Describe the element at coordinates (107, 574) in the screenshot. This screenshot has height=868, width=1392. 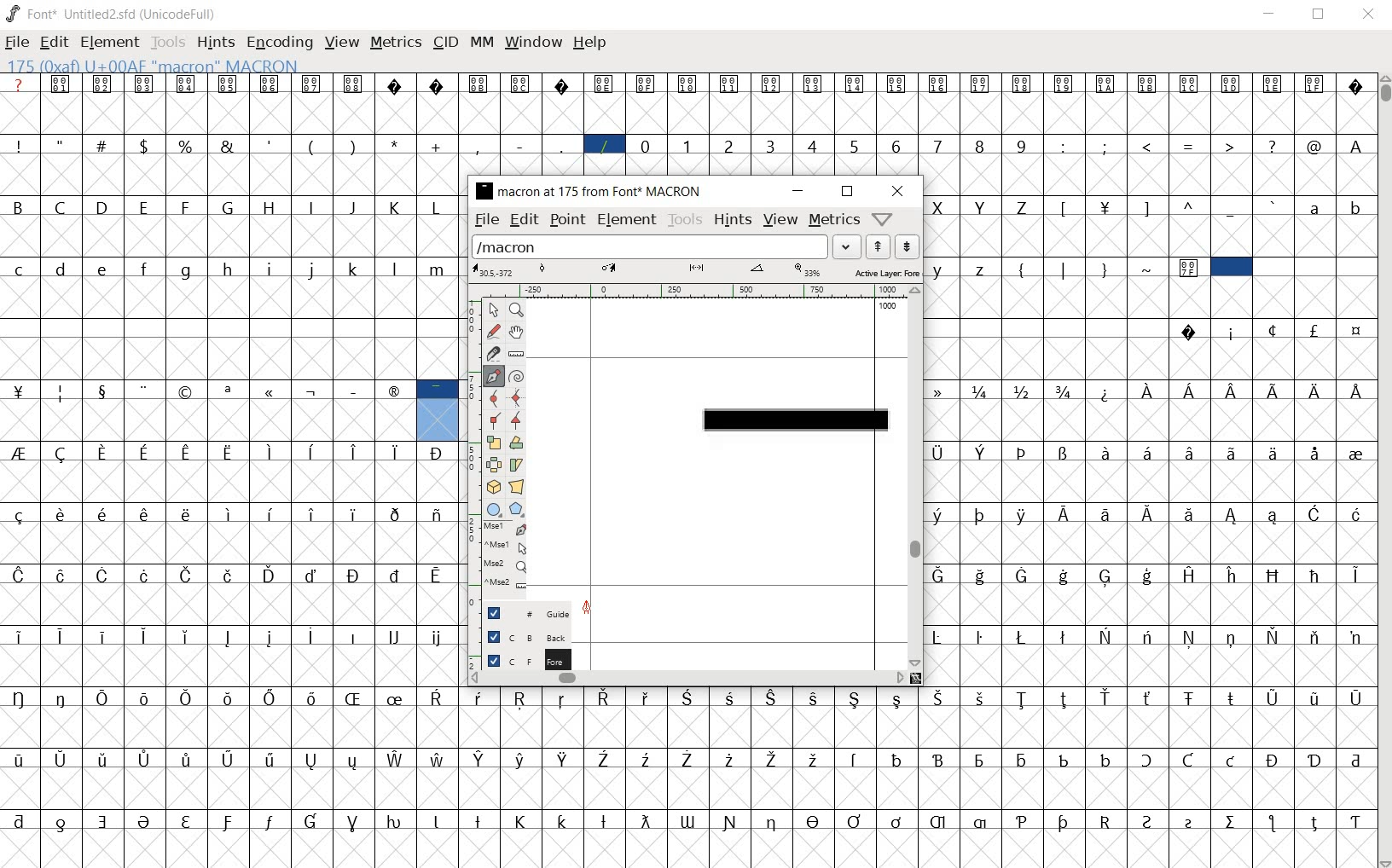
I see `Symbol` at that location.